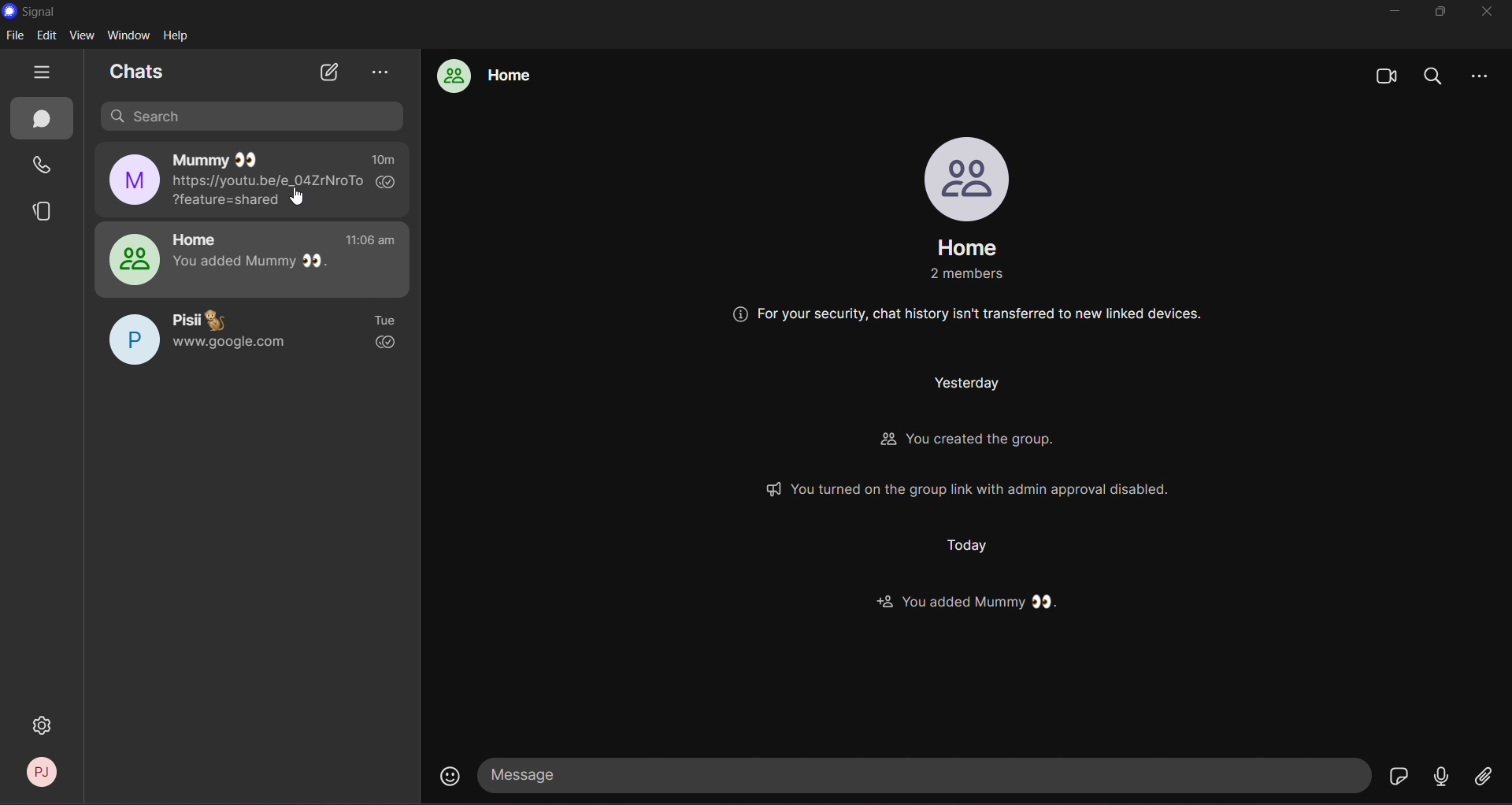 The width and height of the screenshot is (1512, 805). What do you see at coordinates (82, 35) in the screenshot?
I see `view` at bounding box center [82, 35].